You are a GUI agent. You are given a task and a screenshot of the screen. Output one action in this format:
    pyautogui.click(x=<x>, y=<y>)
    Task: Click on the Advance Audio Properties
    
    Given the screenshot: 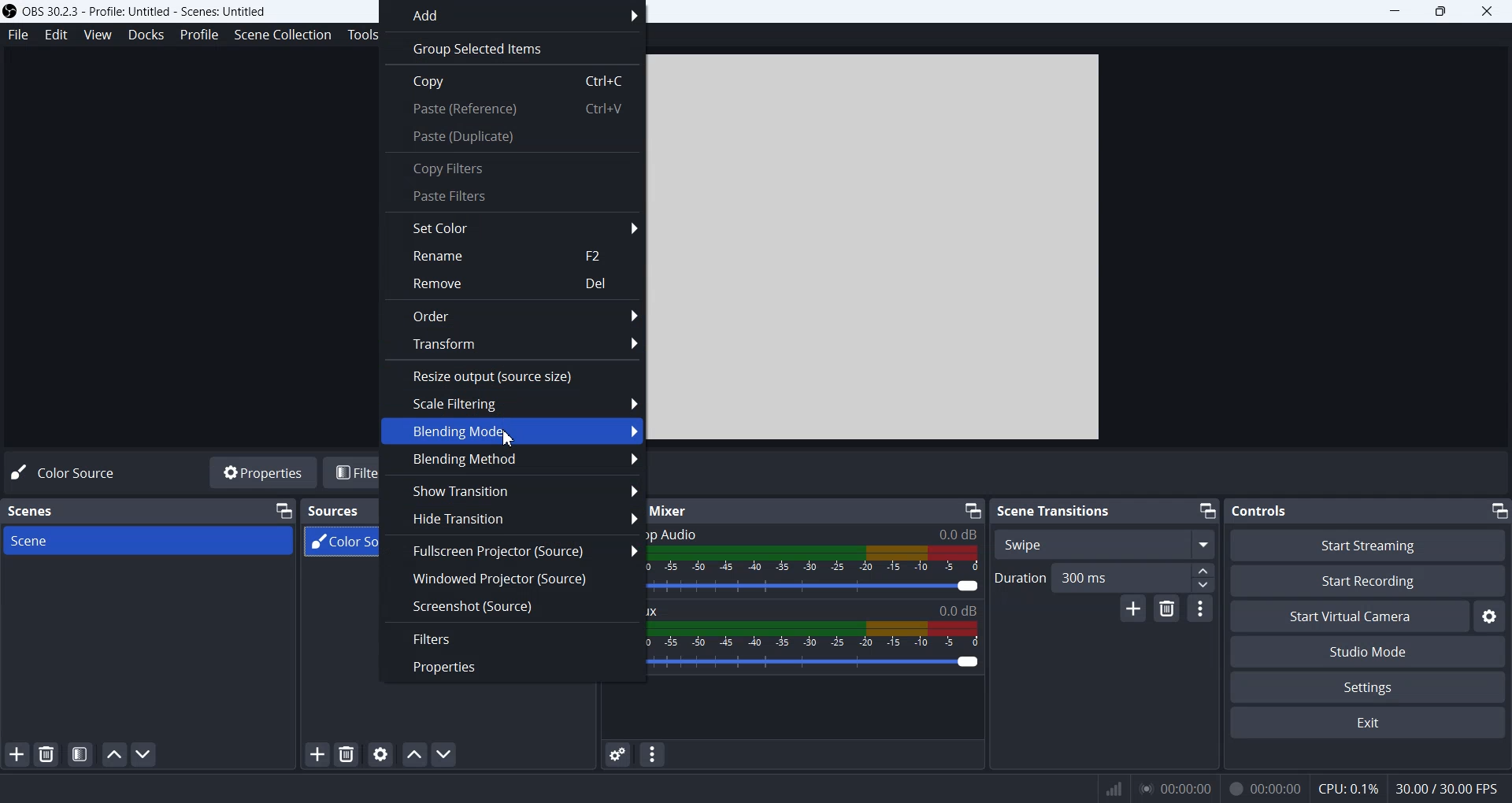 What is the action you would take?
    pyautogui.click(x=617, y=754)
    